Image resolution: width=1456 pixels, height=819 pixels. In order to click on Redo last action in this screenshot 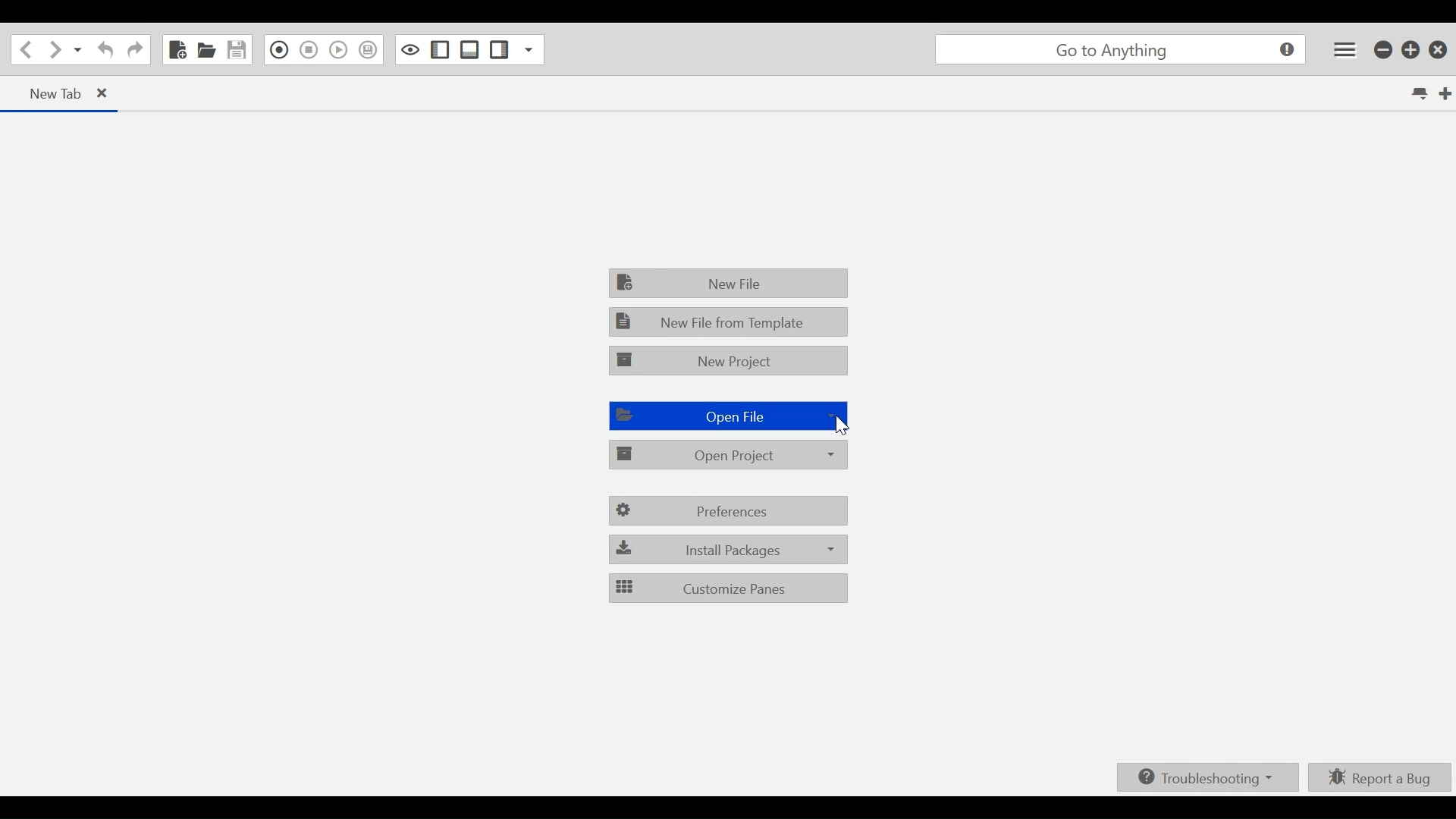, I will do `click(134, 50)`.